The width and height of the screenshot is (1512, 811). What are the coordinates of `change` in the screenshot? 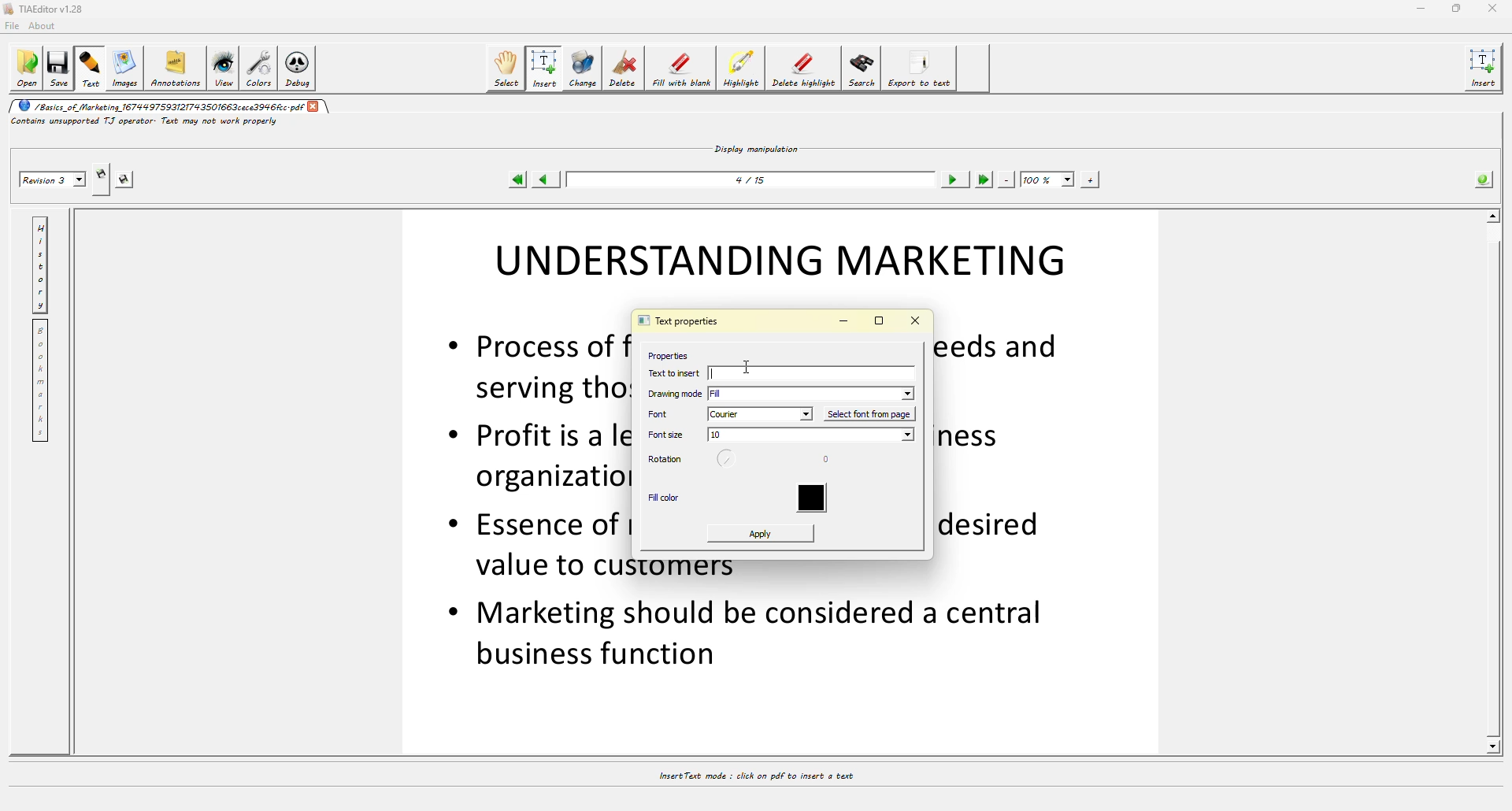 It's located at (583, 68).